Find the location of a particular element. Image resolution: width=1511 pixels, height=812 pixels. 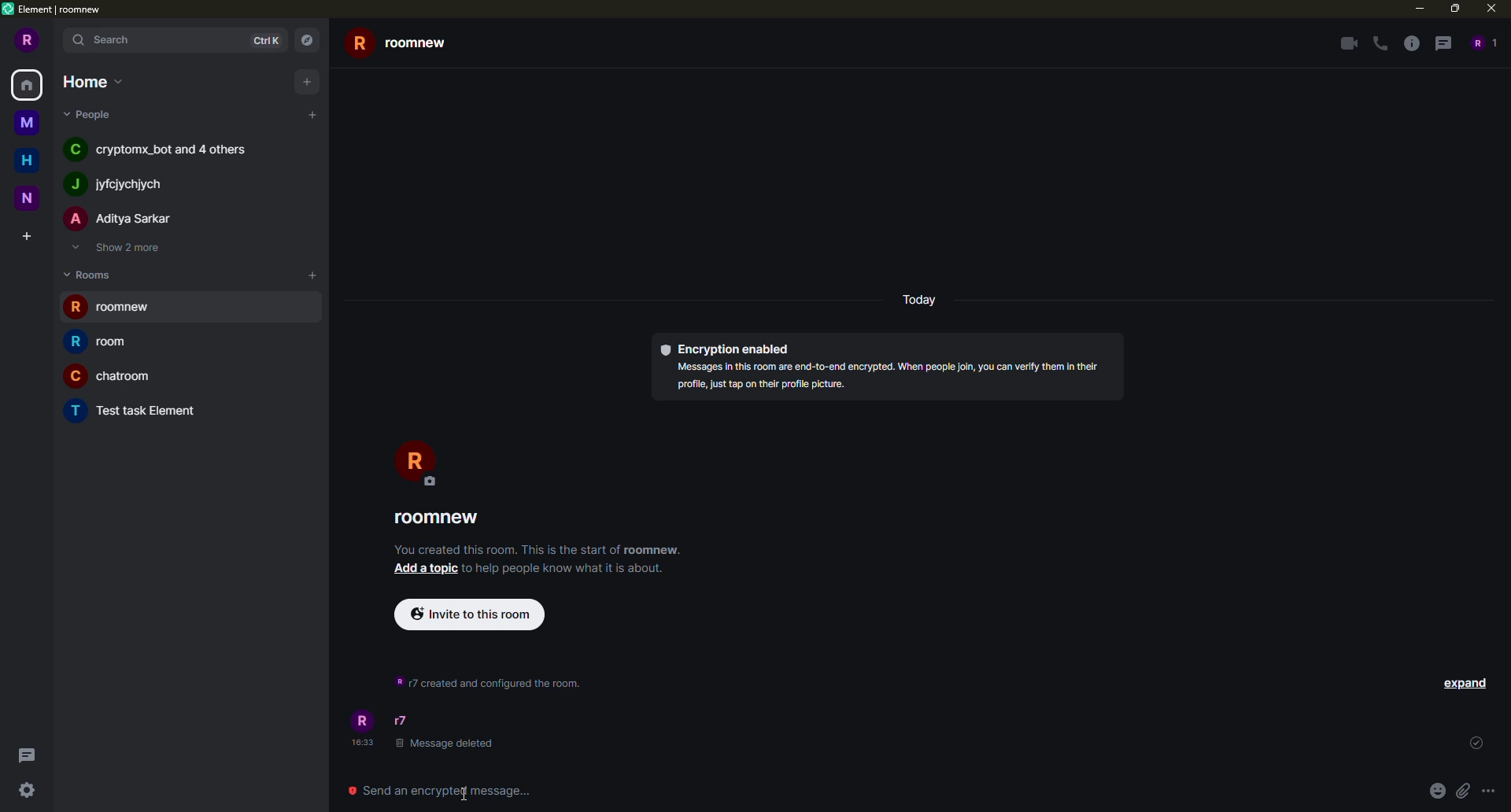

message deleted is located at coordinates (446, 744).